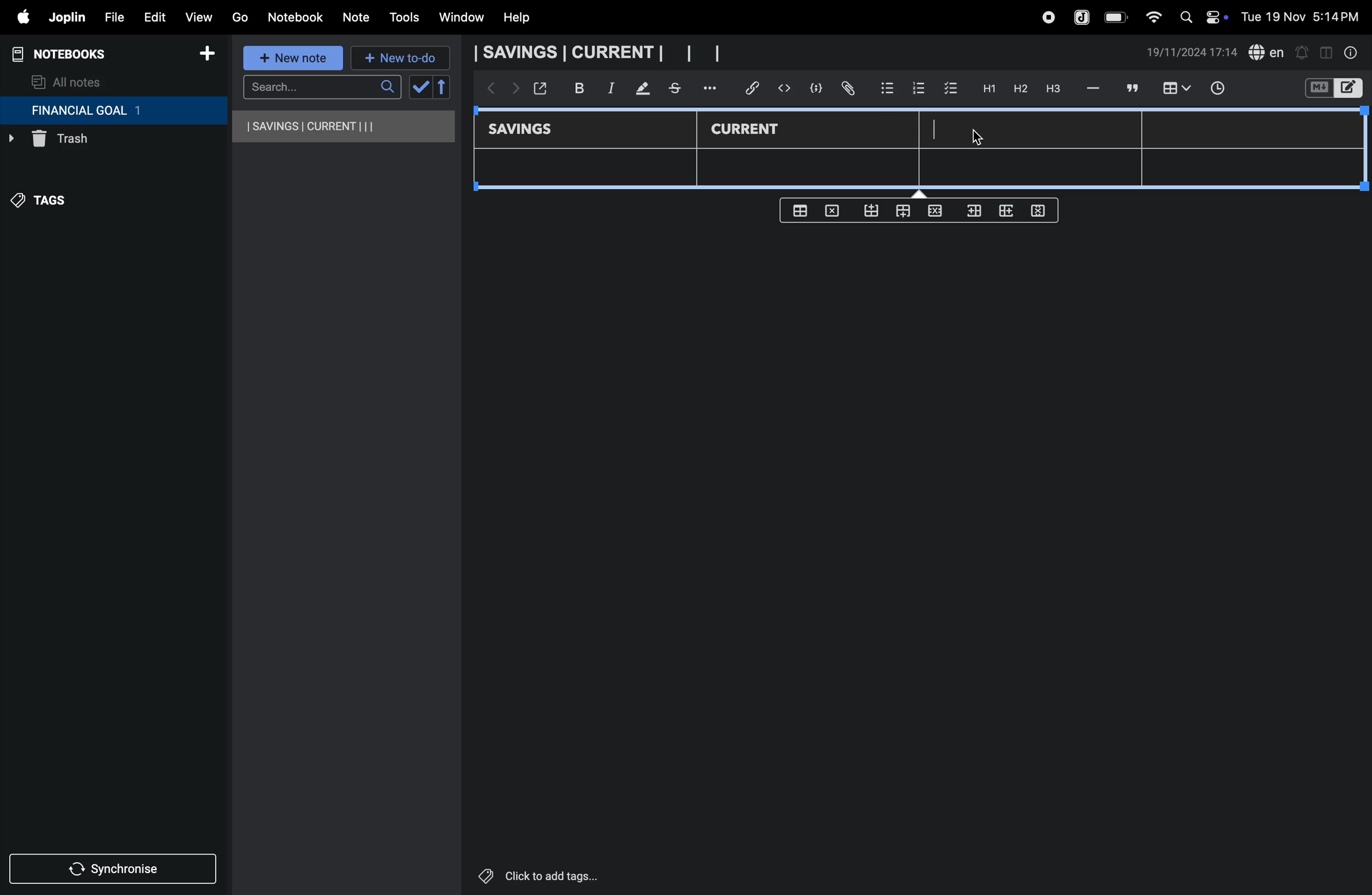 This screenshot has height=895, width=1372. I want to click on file, so click(110, 16).